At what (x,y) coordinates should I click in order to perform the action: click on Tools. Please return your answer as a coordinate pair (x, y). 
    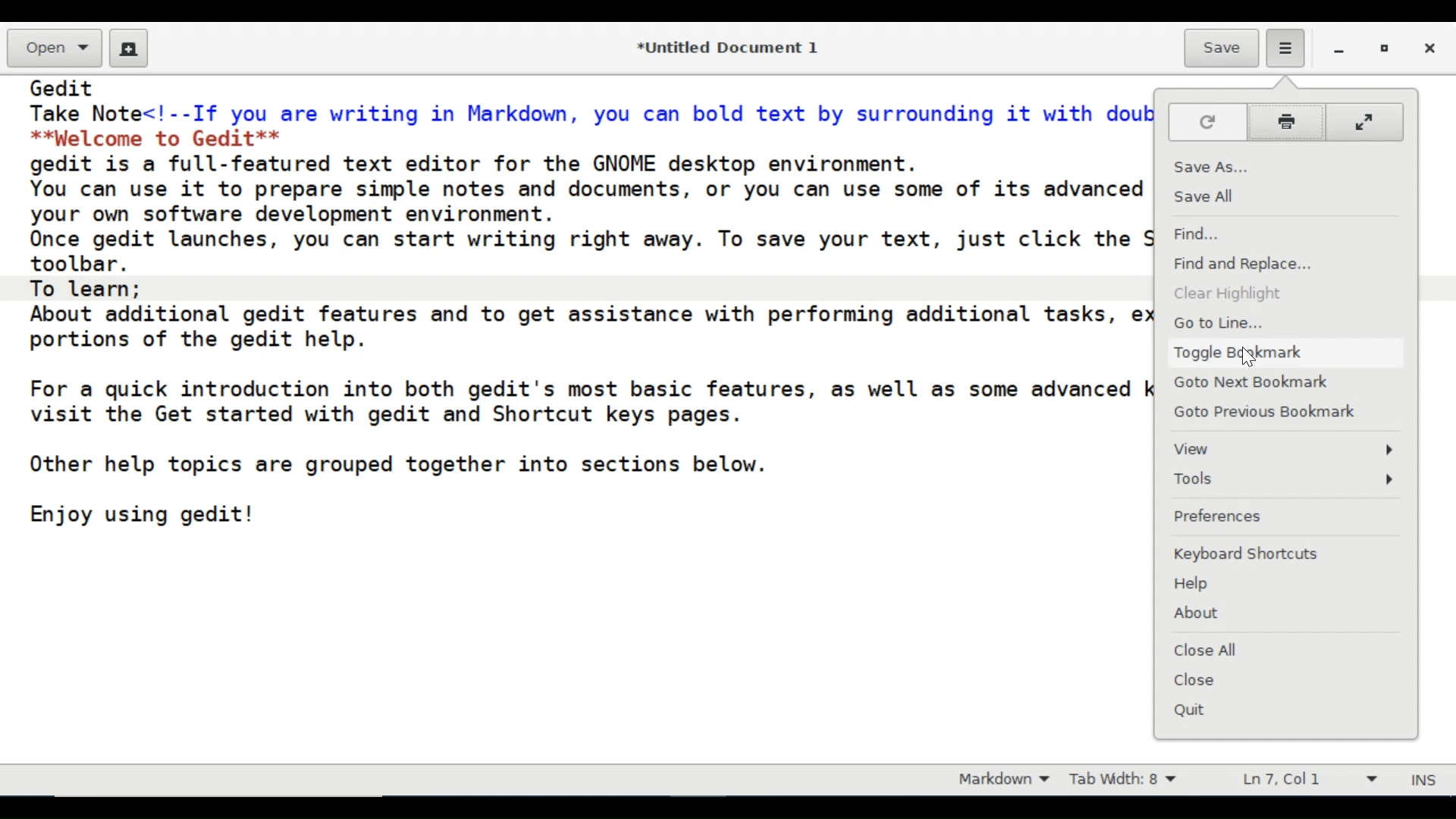
    Looking at the image, I should click on (1288, 480).